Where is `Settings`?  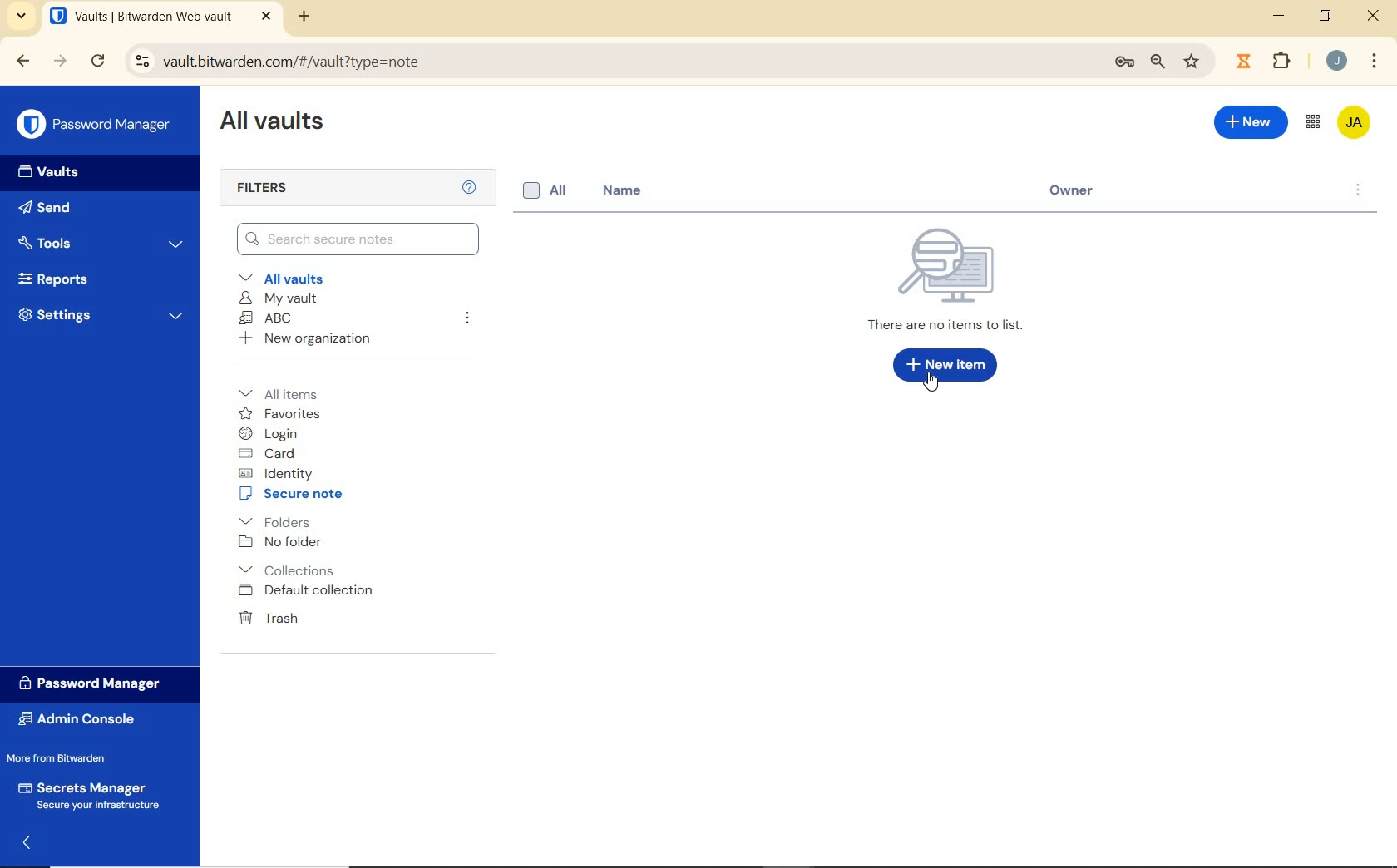 Settings is located at coordinates (99, 314).